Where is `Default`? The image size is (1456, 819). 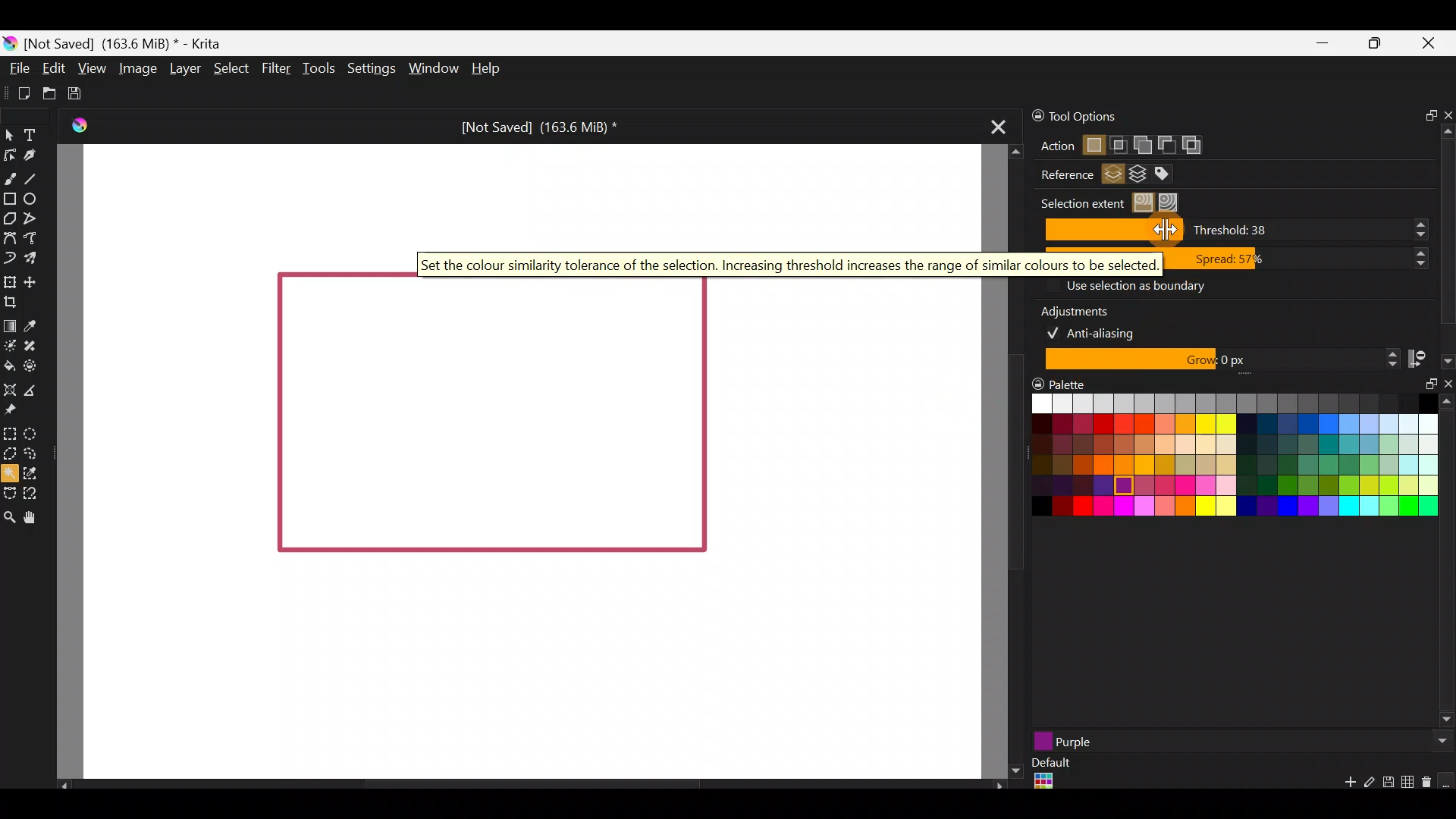
Default is located at coordinates (1050, 775).